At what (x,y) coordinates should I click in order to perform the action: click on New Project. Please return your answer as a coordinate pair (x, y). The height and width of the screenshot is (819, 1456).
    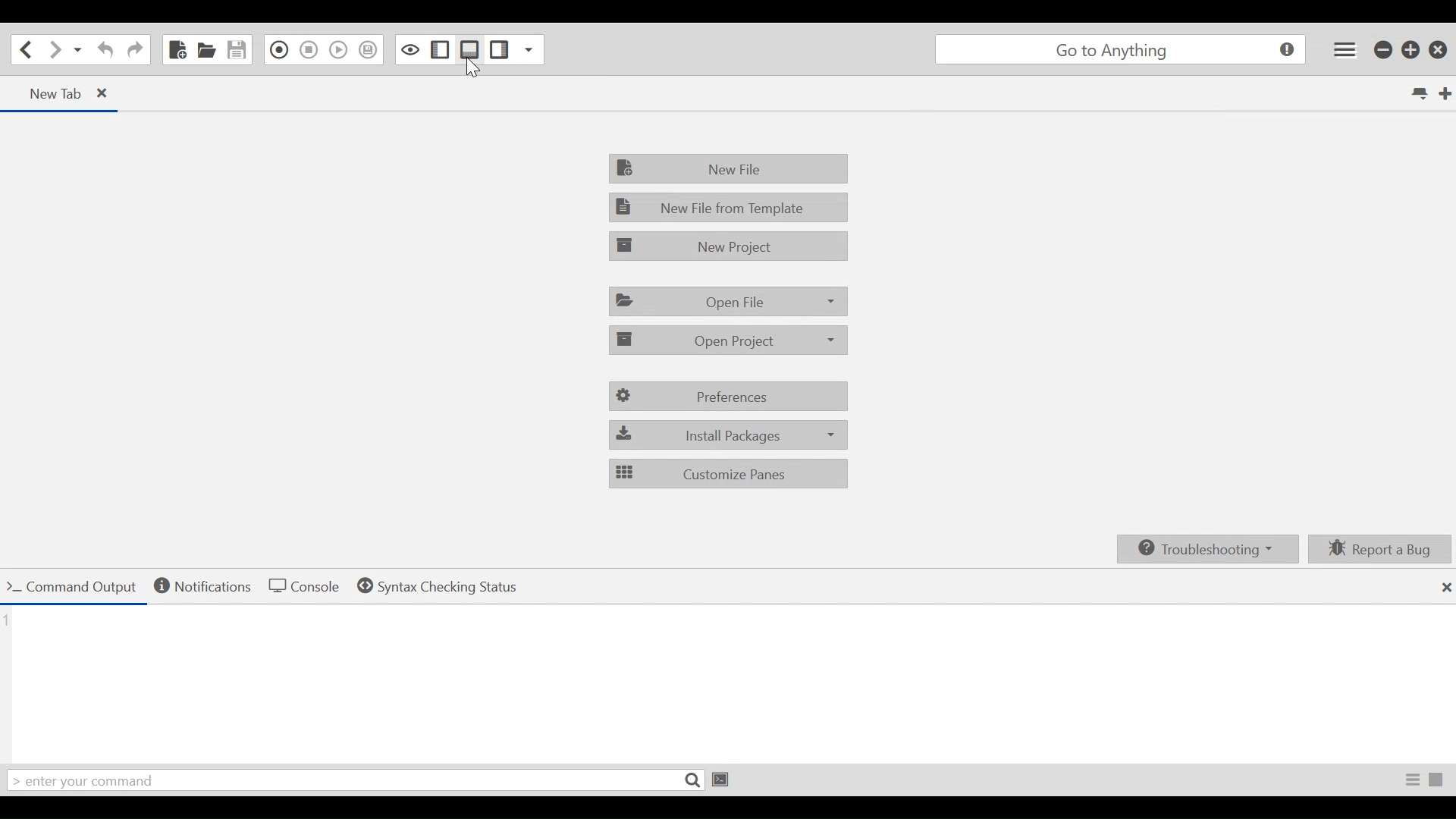
    Looking at the image, I should click on (727, 246).